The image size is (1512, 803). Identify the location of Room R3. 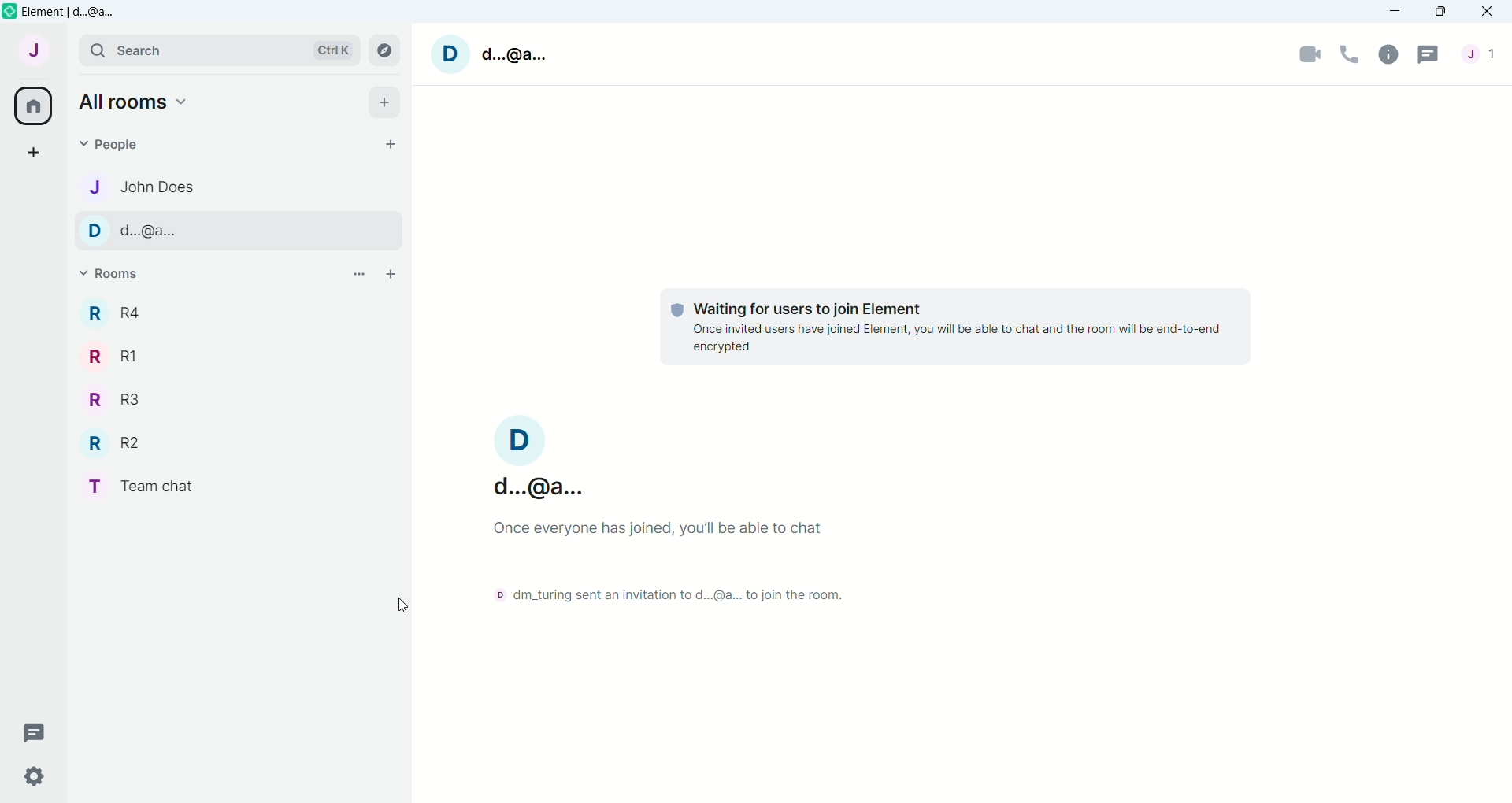
(116, 400).